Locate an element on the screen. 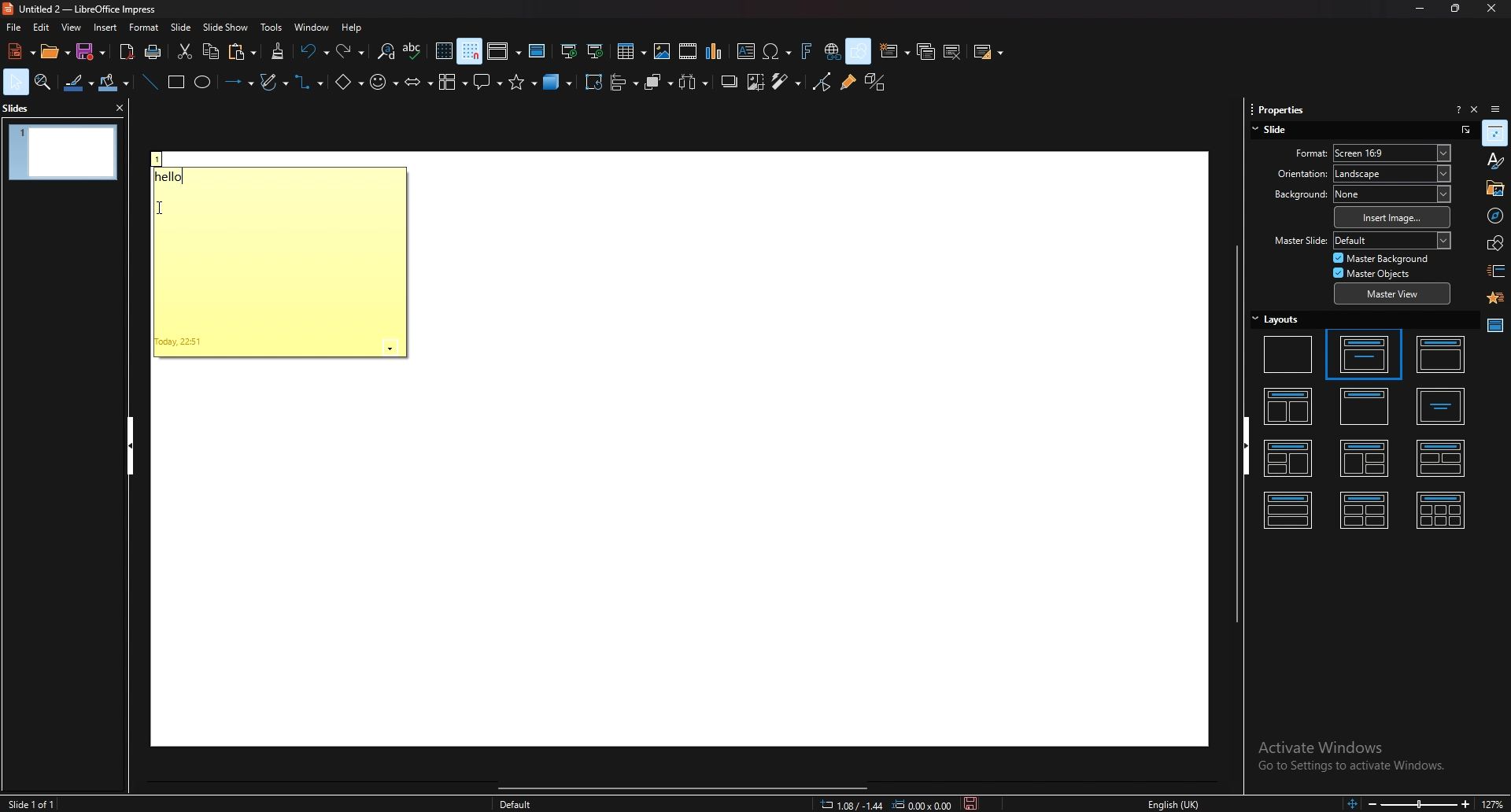 The width and height of the screenshot is (1511, 812). master background is located at coordinates (1382, 258).